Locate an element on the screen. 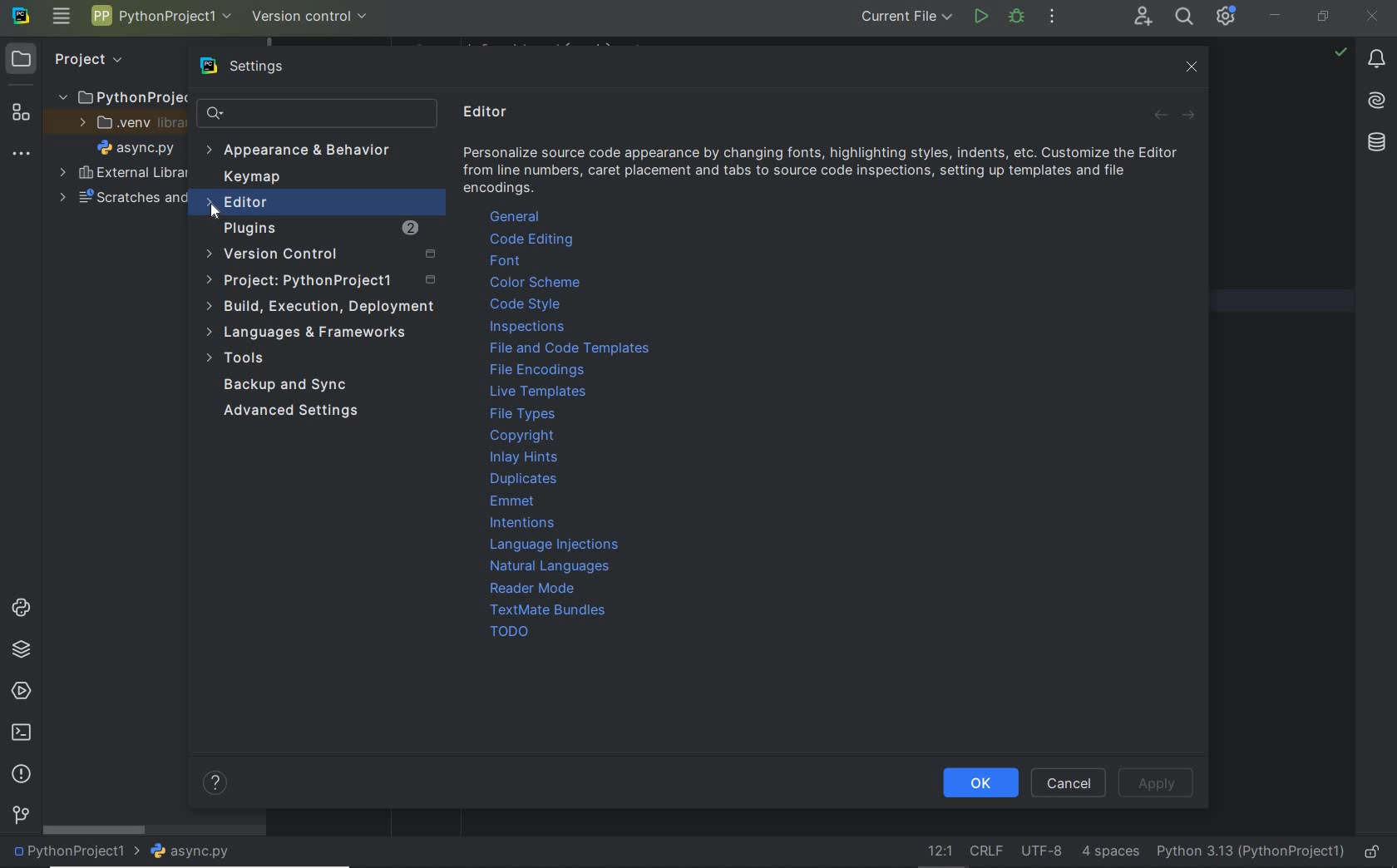 The image size is (1397, 868). project folder is located at coordinates (120, 98).